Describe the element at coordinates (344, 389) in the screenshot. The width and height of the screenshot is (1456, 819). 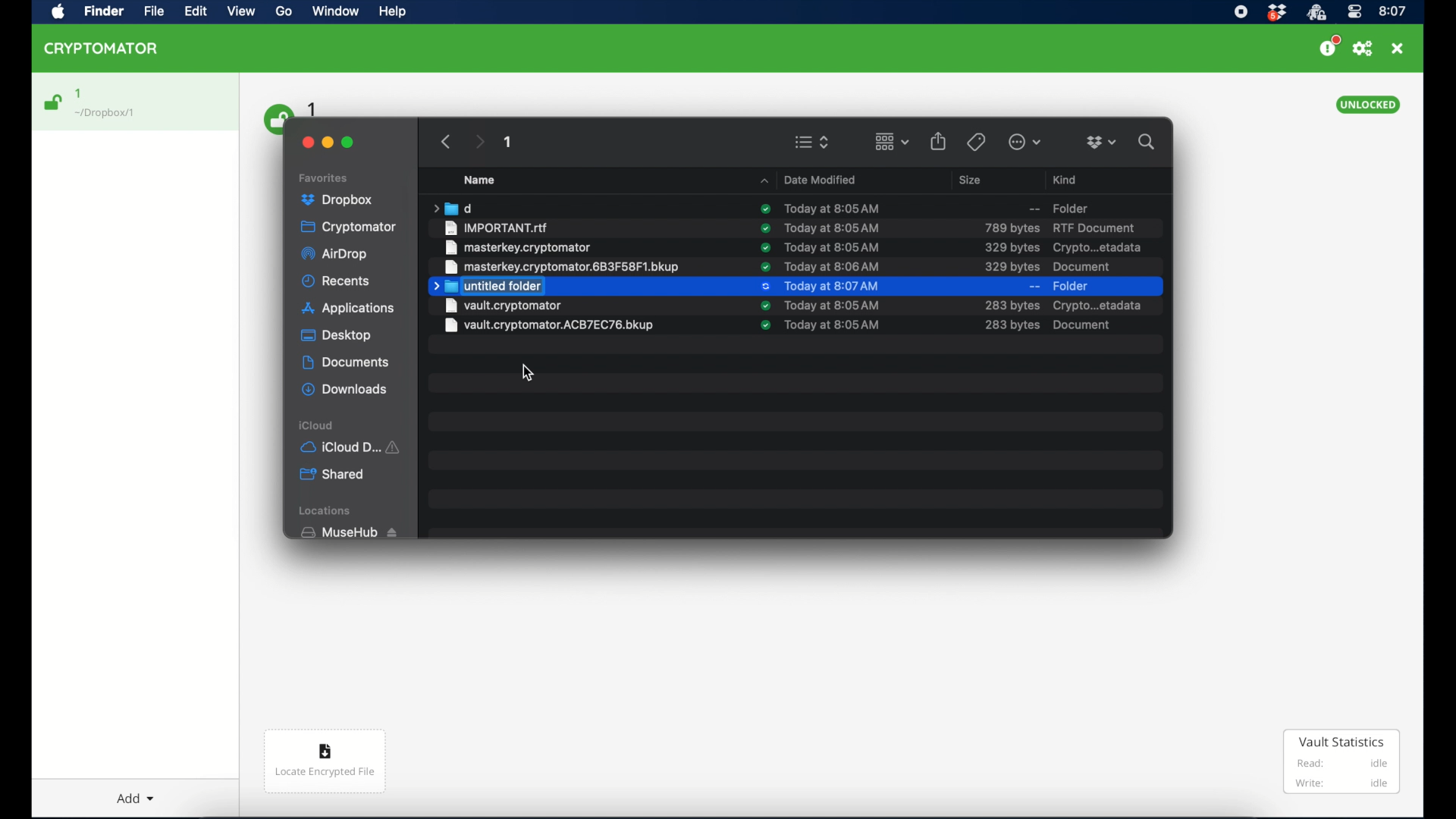
I see `downloads` at that location.